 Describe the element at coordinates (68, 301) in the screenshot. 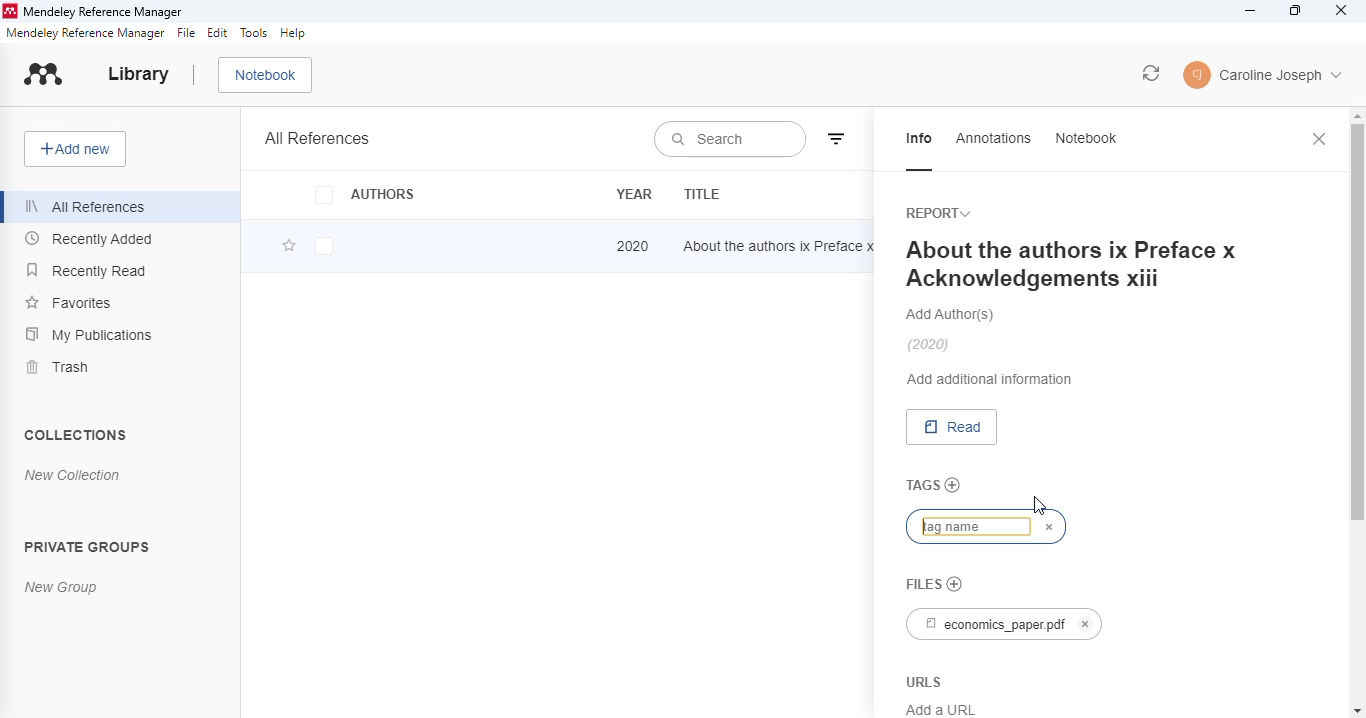

I see `favorites` at that location.